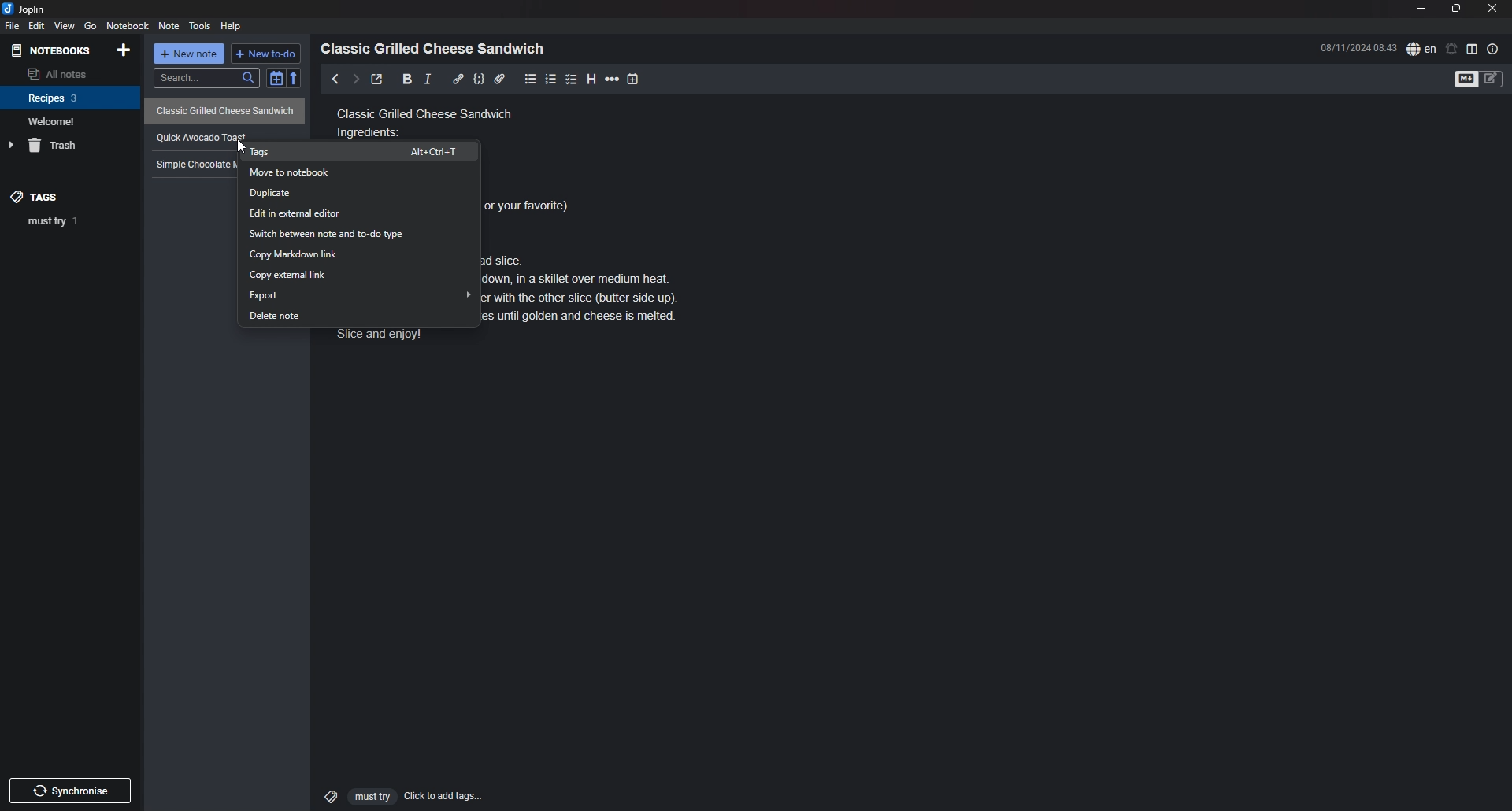  What do you see at coordinates (70, 787) in the screenshot?
I see `` at bounding box center [70, 787].